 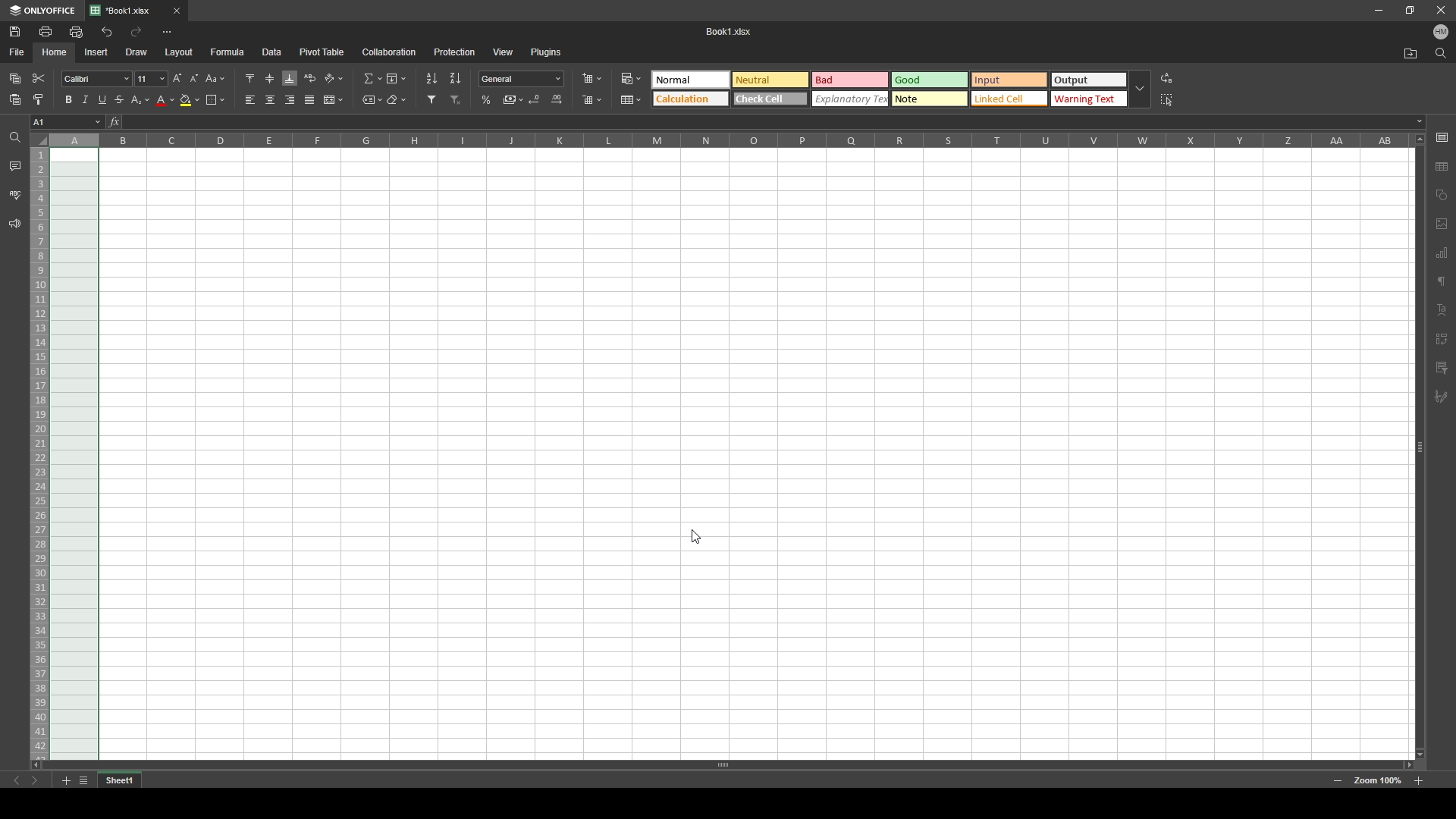 What do you see at coordinates (14, 224) in the screenshot?
I see `support` at bounding box center [14, 224].